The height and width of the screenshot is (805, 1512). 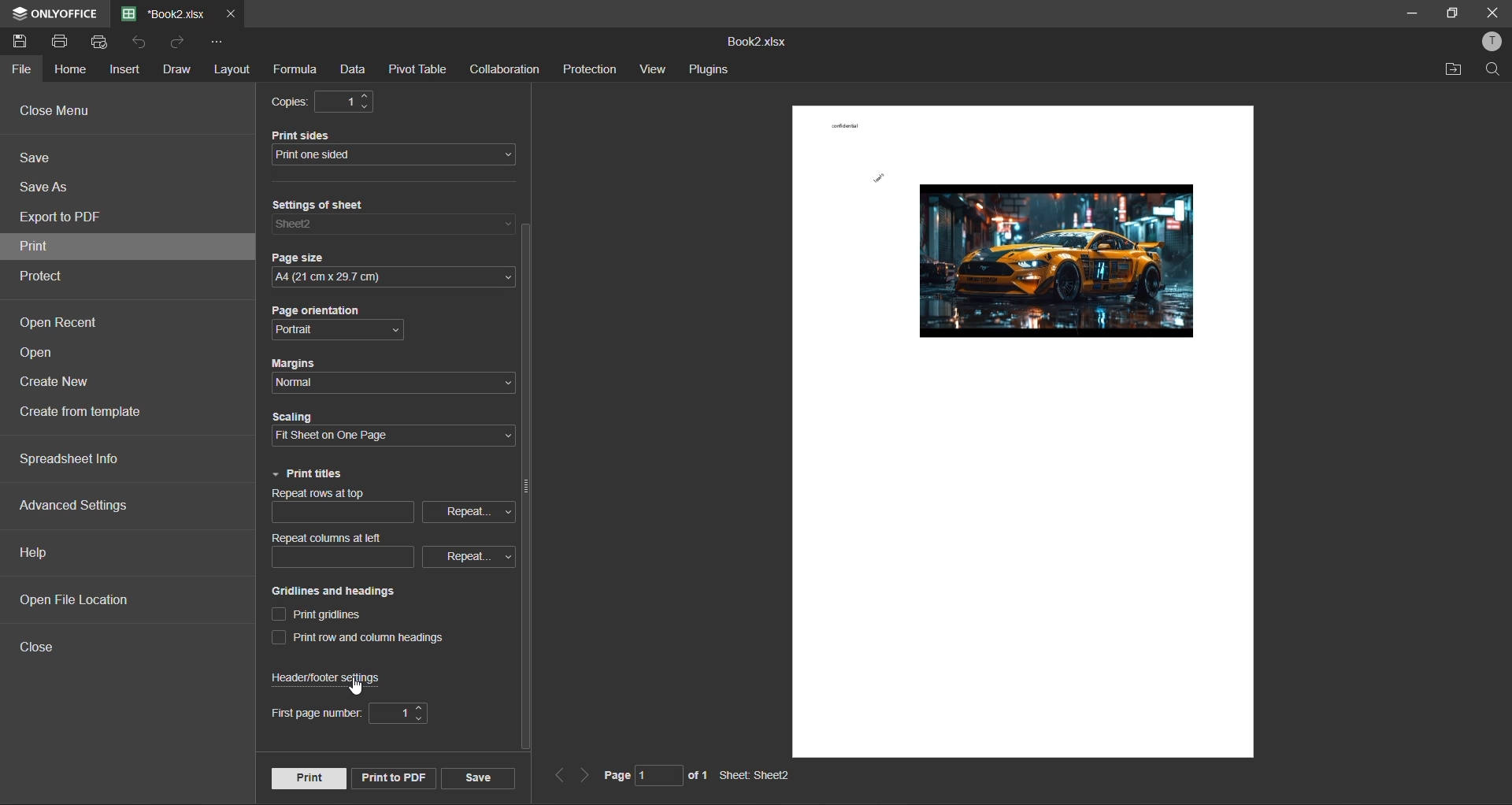 What do you see at coordinates (393, 226) in the screenshot?
I see `settings of sheet` at bounding box center [393, 226].